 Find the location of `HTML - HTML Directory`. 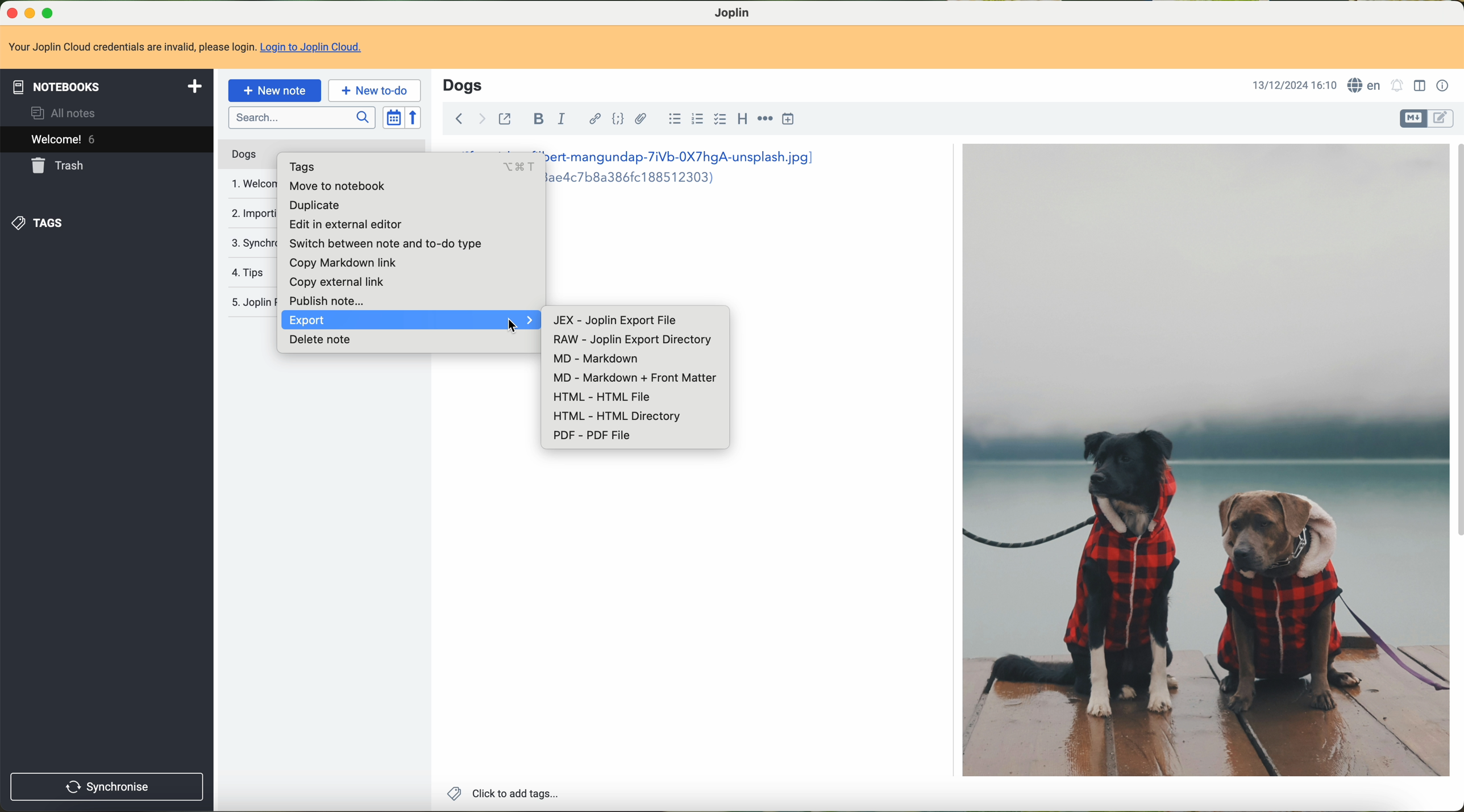

HTML - HTML Directory is located at coordinates (619, 417).